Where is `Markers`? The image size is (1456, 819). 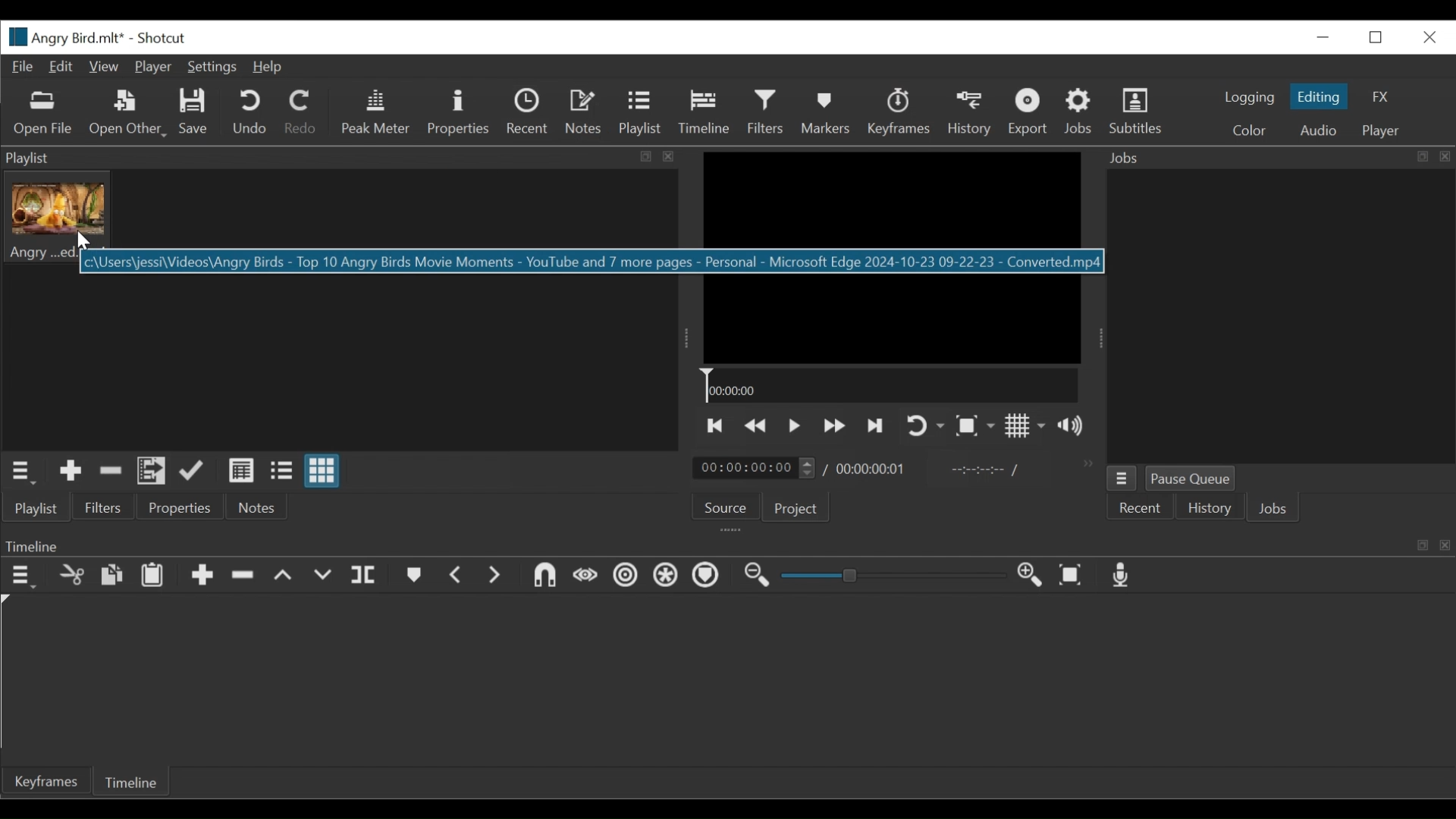 Markers is located at coordinates (827, 111).